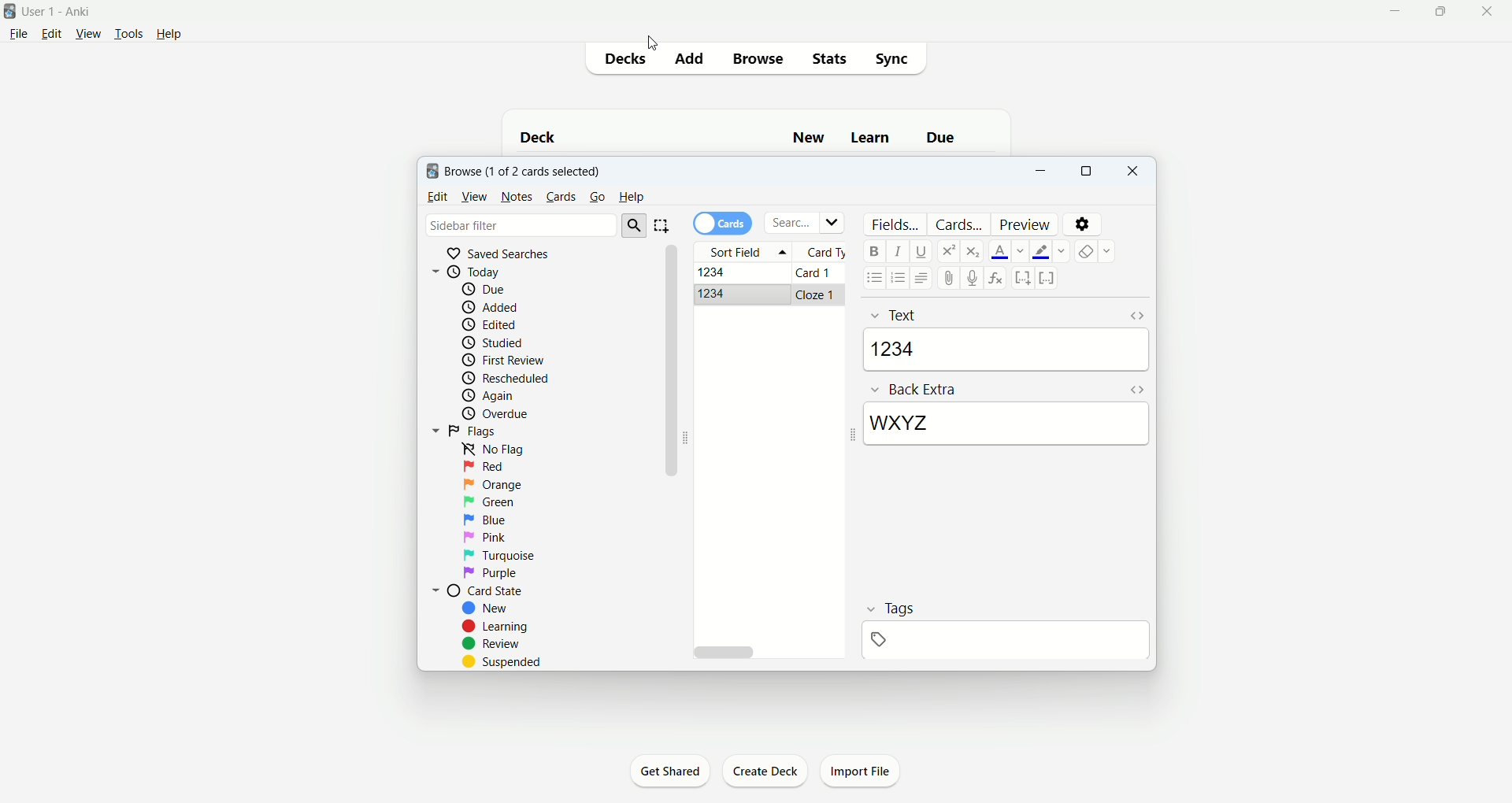  What do you see at coordinates (491, 645) in the screenshot?
I see `review` at bounding box center [491, 645].